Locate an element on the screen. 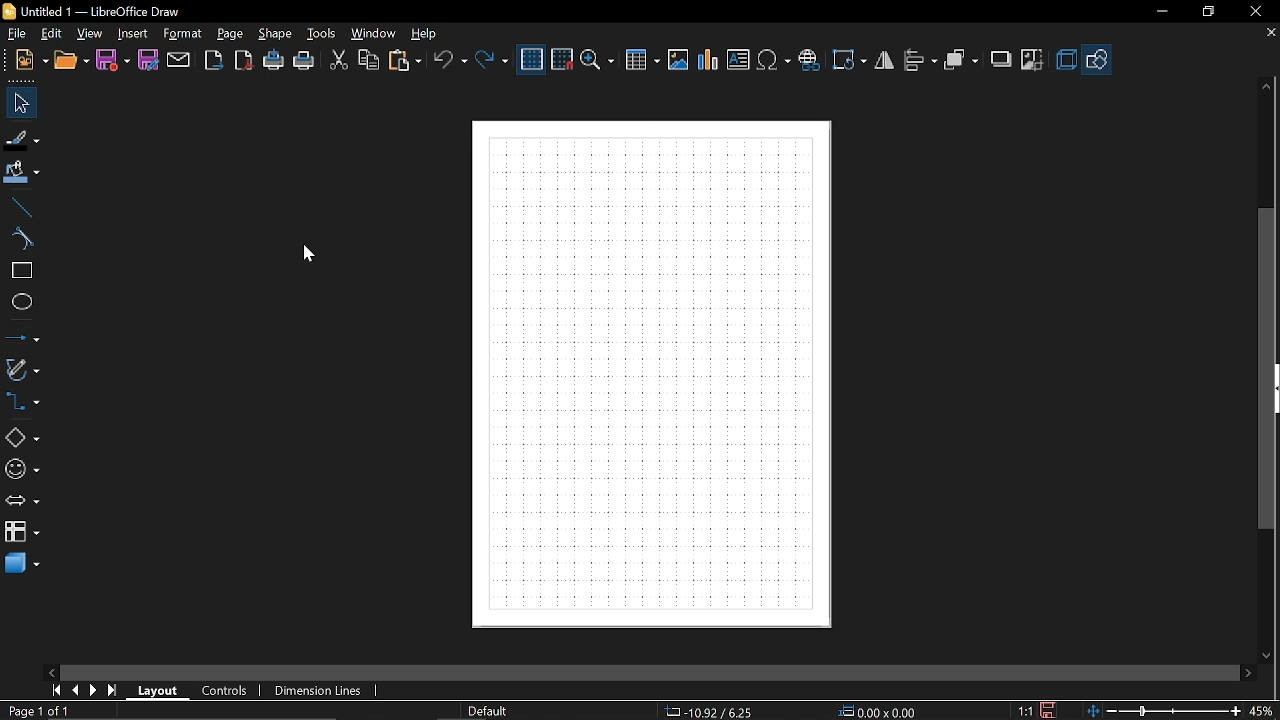  Insert table is located at coordinates (642, 61).